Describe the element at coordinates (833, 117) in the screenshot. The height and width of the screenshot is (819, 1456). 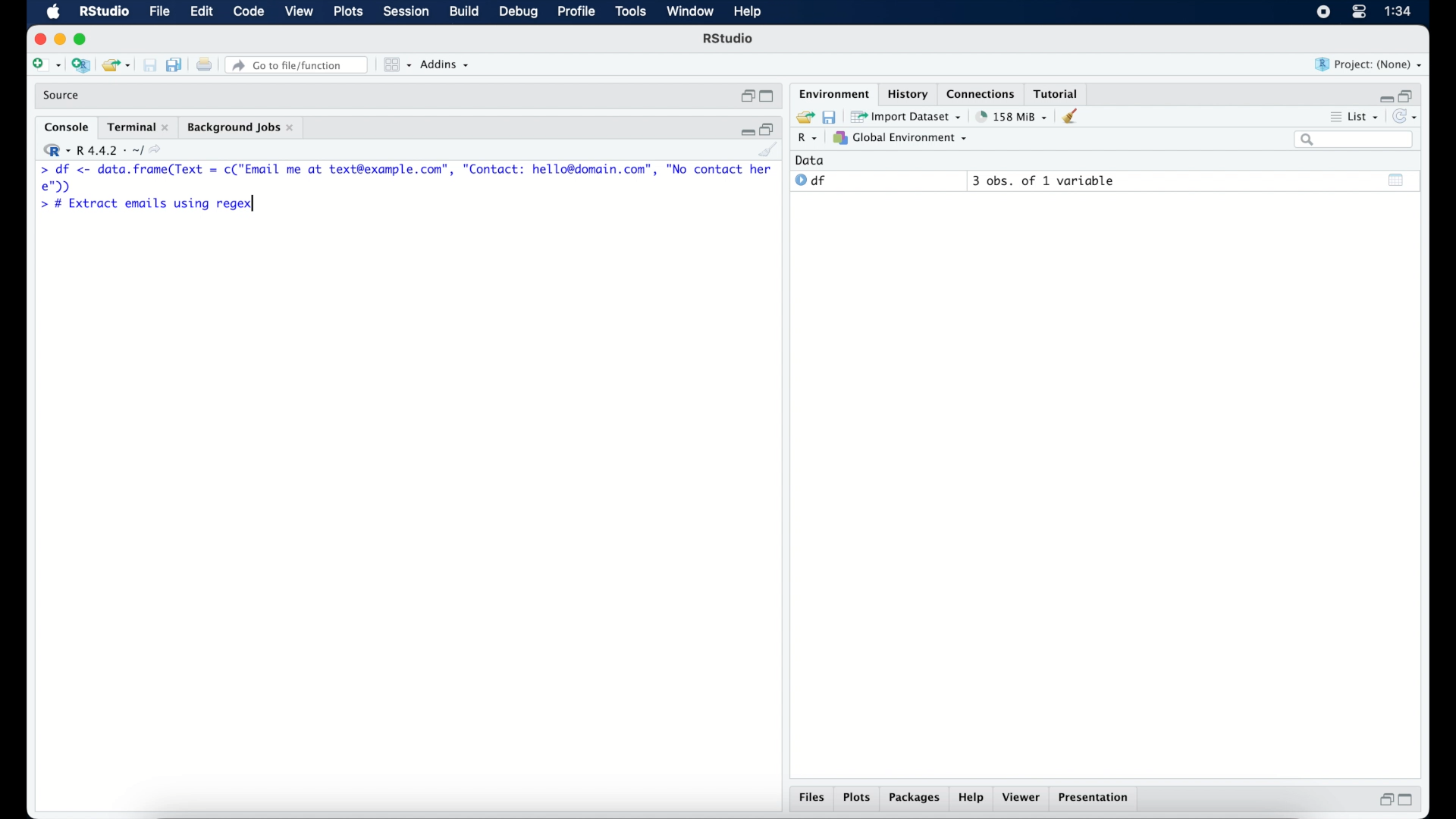
I see `save` at that location.